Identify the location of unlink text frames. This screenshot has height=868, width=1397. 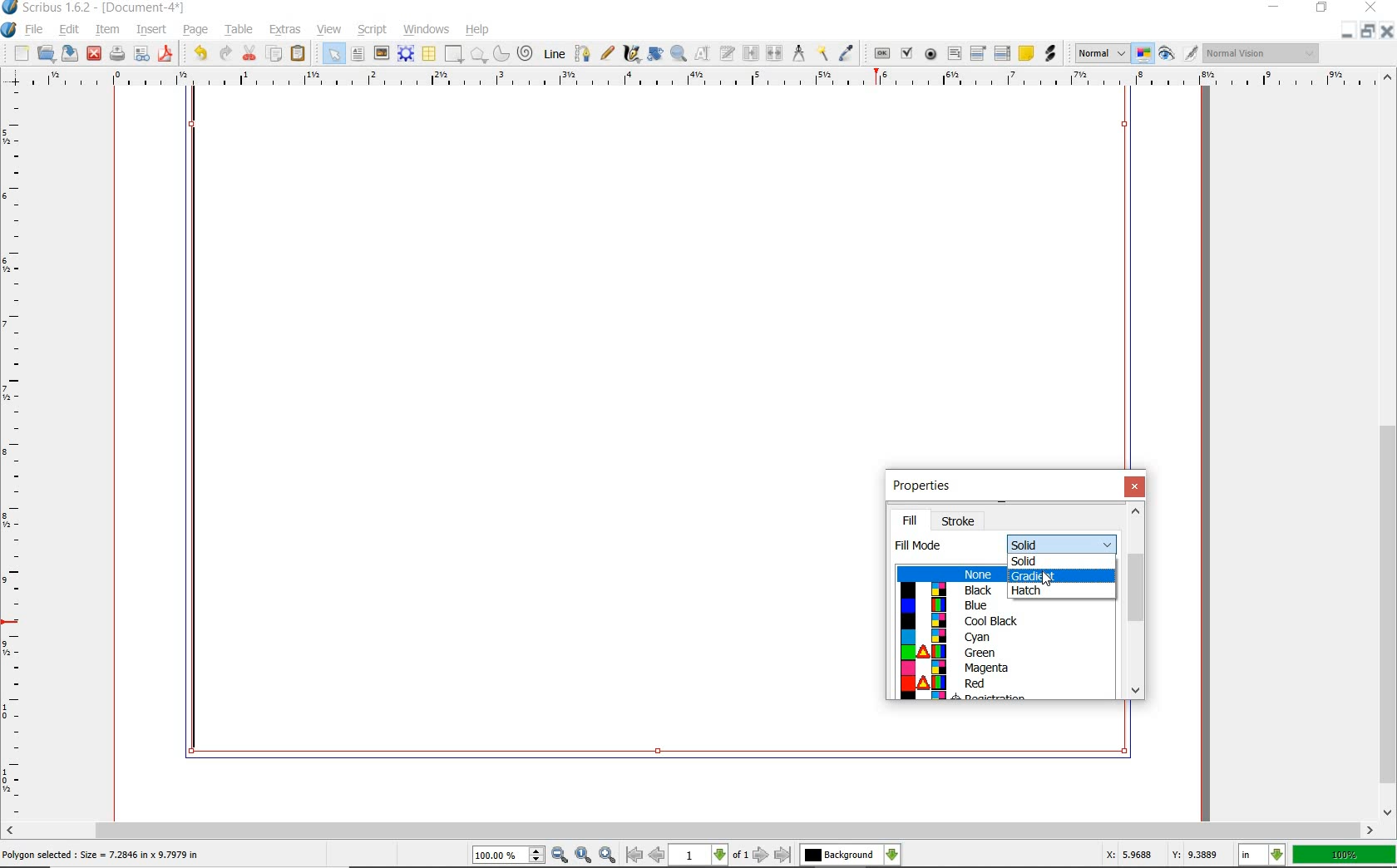
(773, 52).